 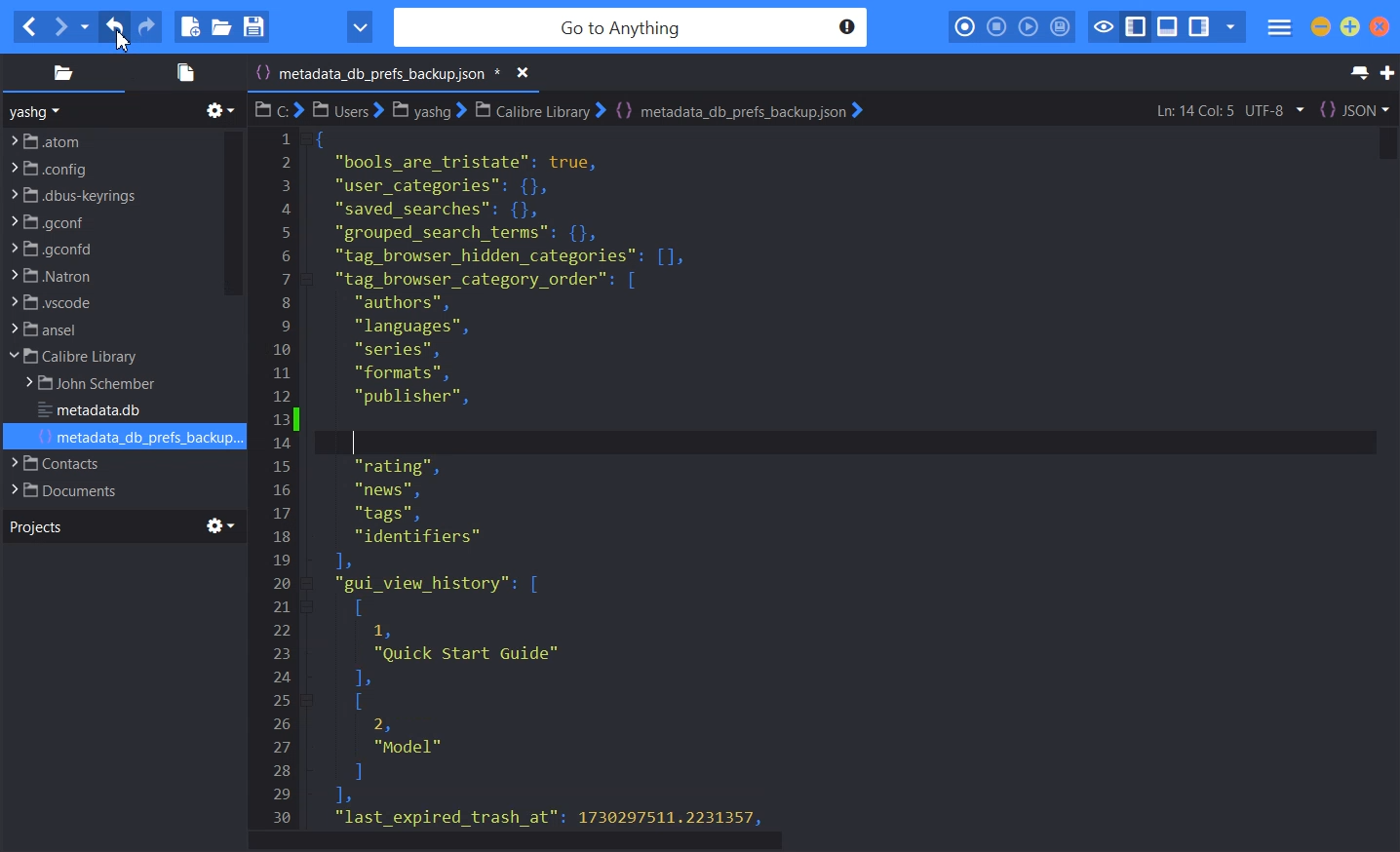 I want to click on Line number, so click(x=283, y=477).